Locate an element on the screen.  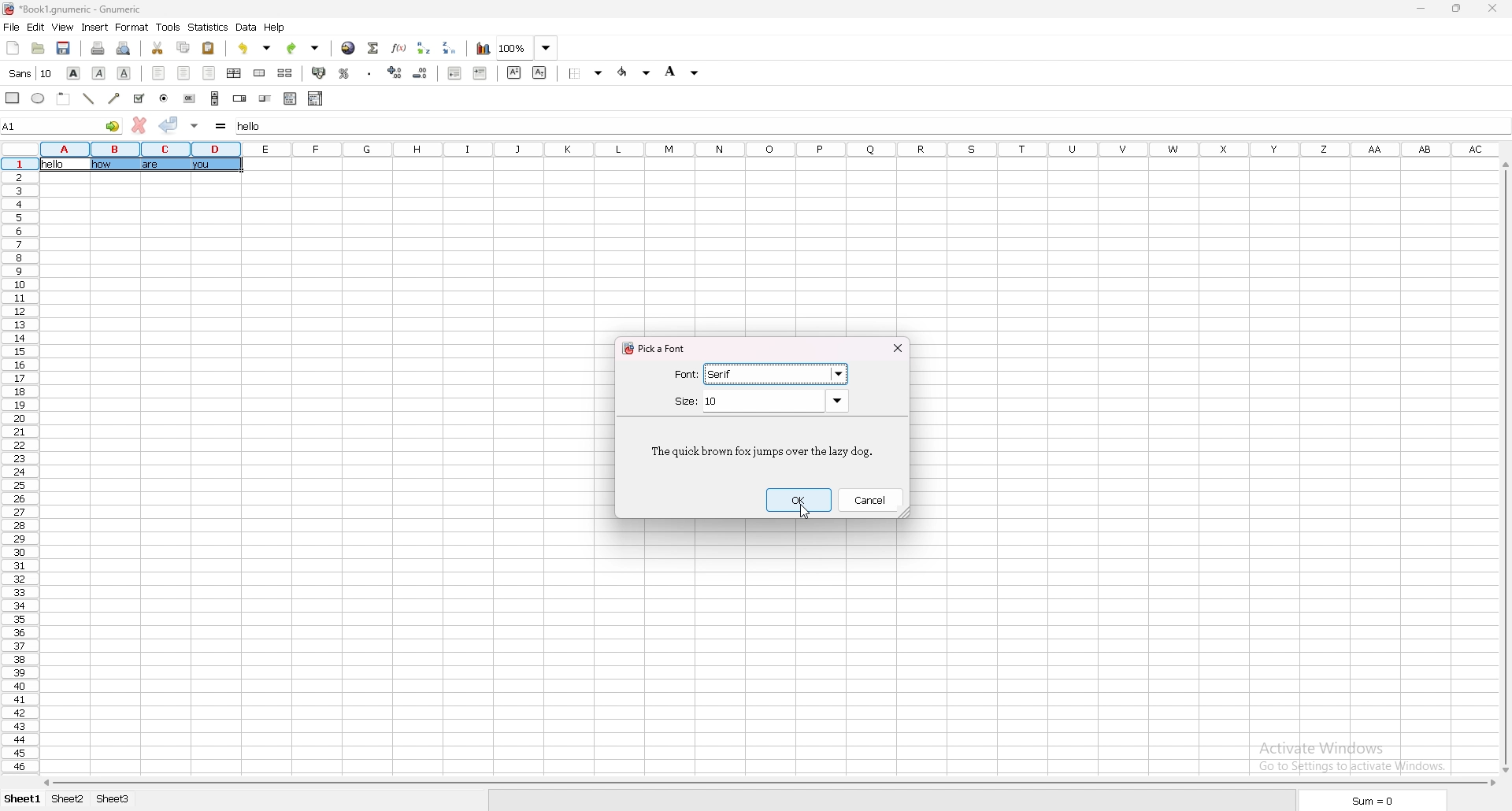
background is located at coordinates (684, 71).